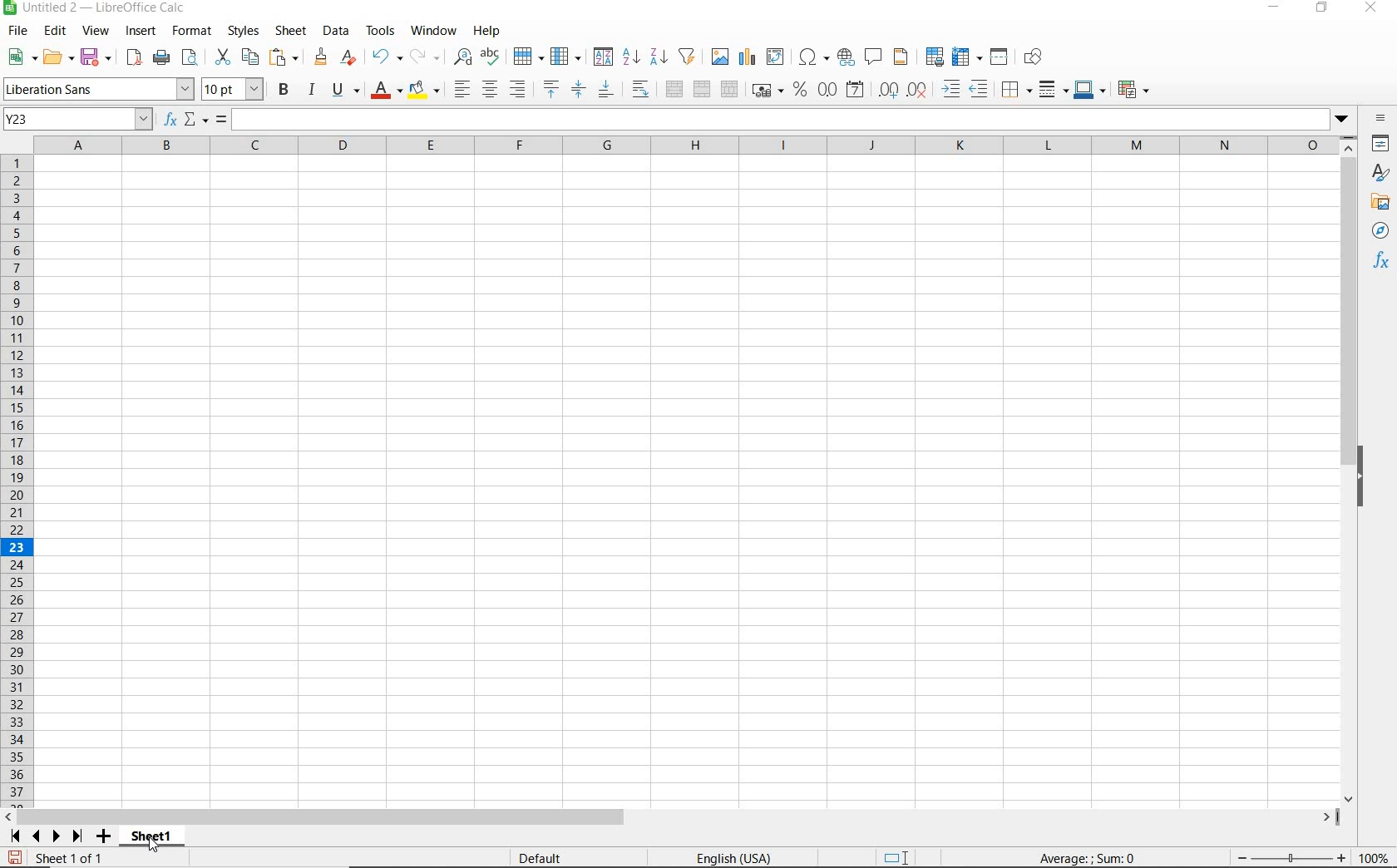 Image resolution: width=1397 pixels, height=868 pixels. Describe the element at coordinates (658, 57) in the screenshot. I see `SORT DESCENDING` at that location.